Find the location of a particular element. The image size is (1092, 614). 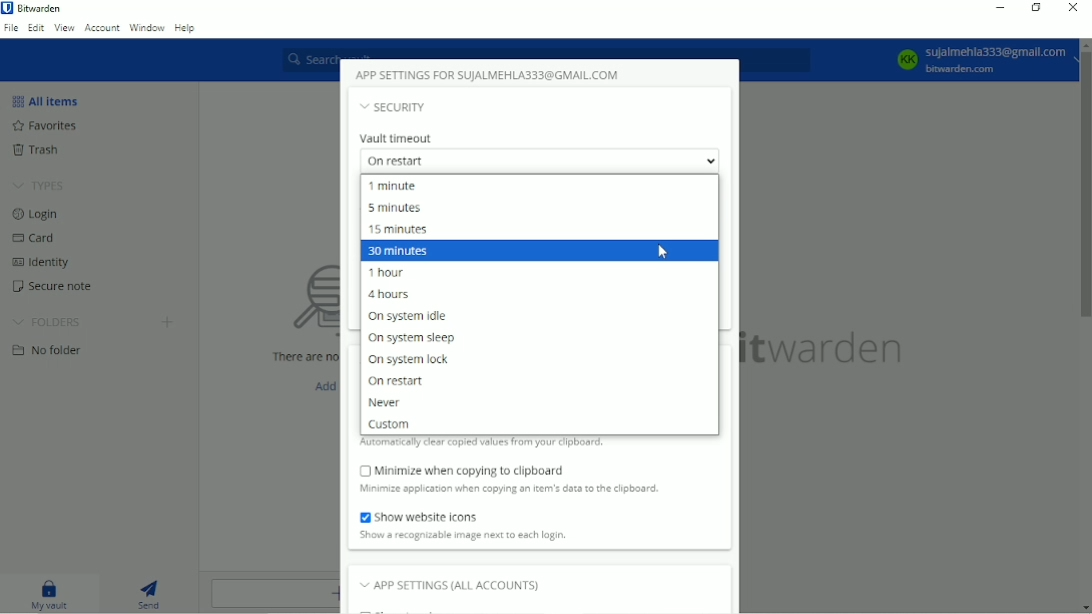

No folder is located at coordinates (49, 349).